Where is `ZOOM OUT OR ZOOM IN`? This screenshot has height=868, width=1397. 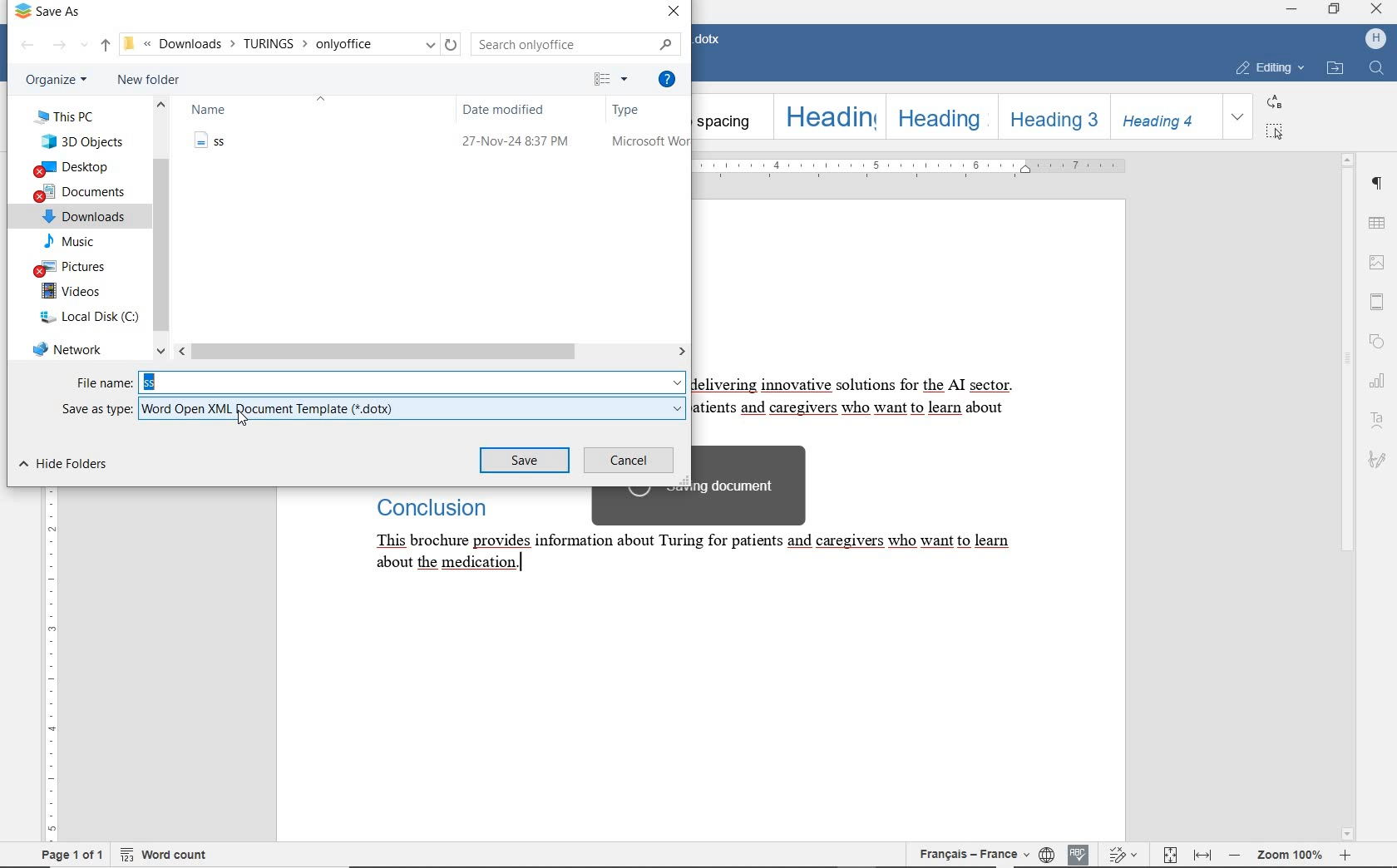 ZOOM OUT OR ZOOM IN is located at coordinates (1292, 854).